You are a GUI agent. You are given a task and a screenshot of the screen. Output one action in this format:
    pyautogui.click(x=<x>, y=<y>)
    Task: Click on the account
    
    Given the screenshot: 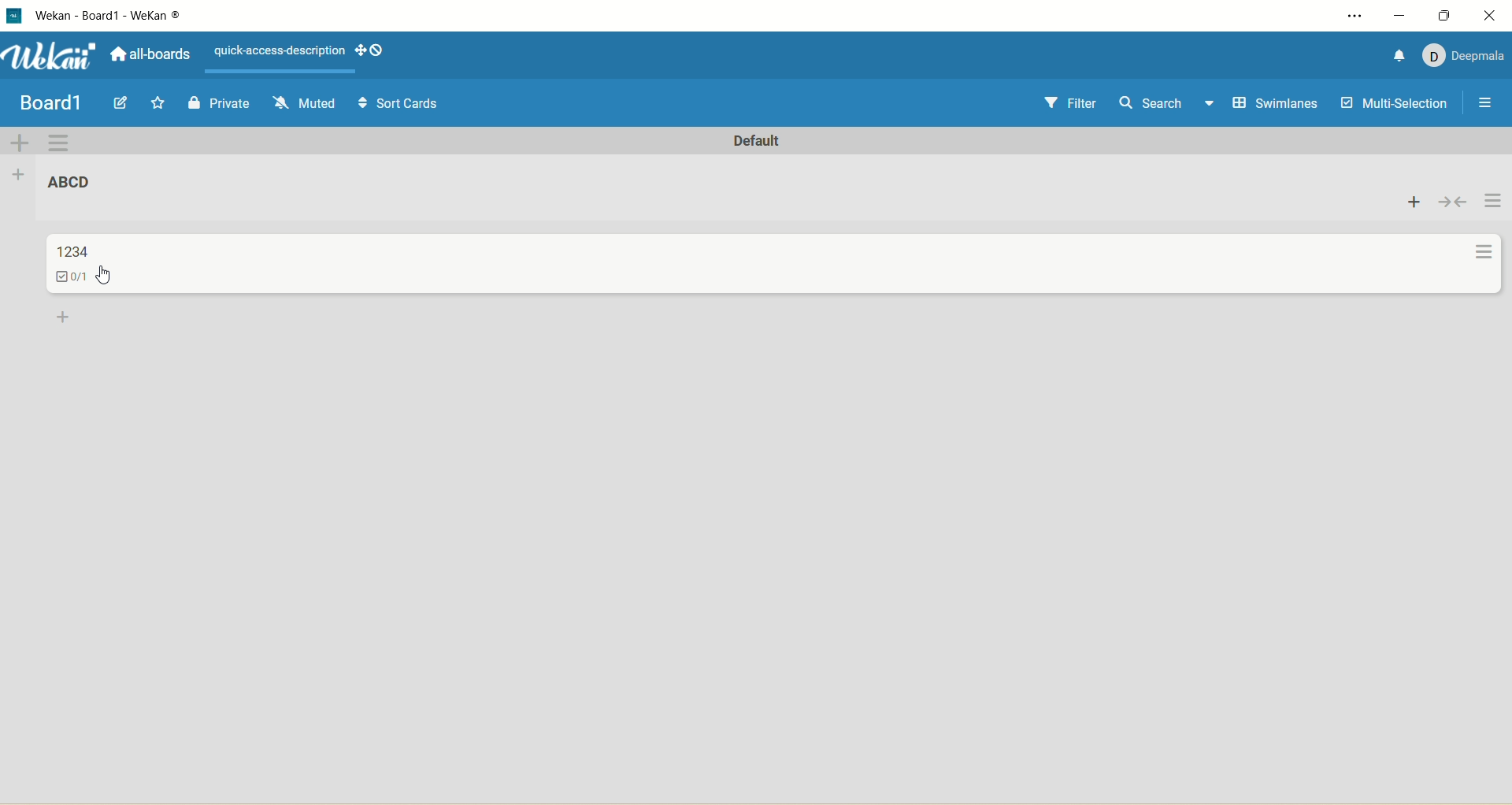 What is the action you would take?
    pyautogui.click(x=1464, y=57)
    